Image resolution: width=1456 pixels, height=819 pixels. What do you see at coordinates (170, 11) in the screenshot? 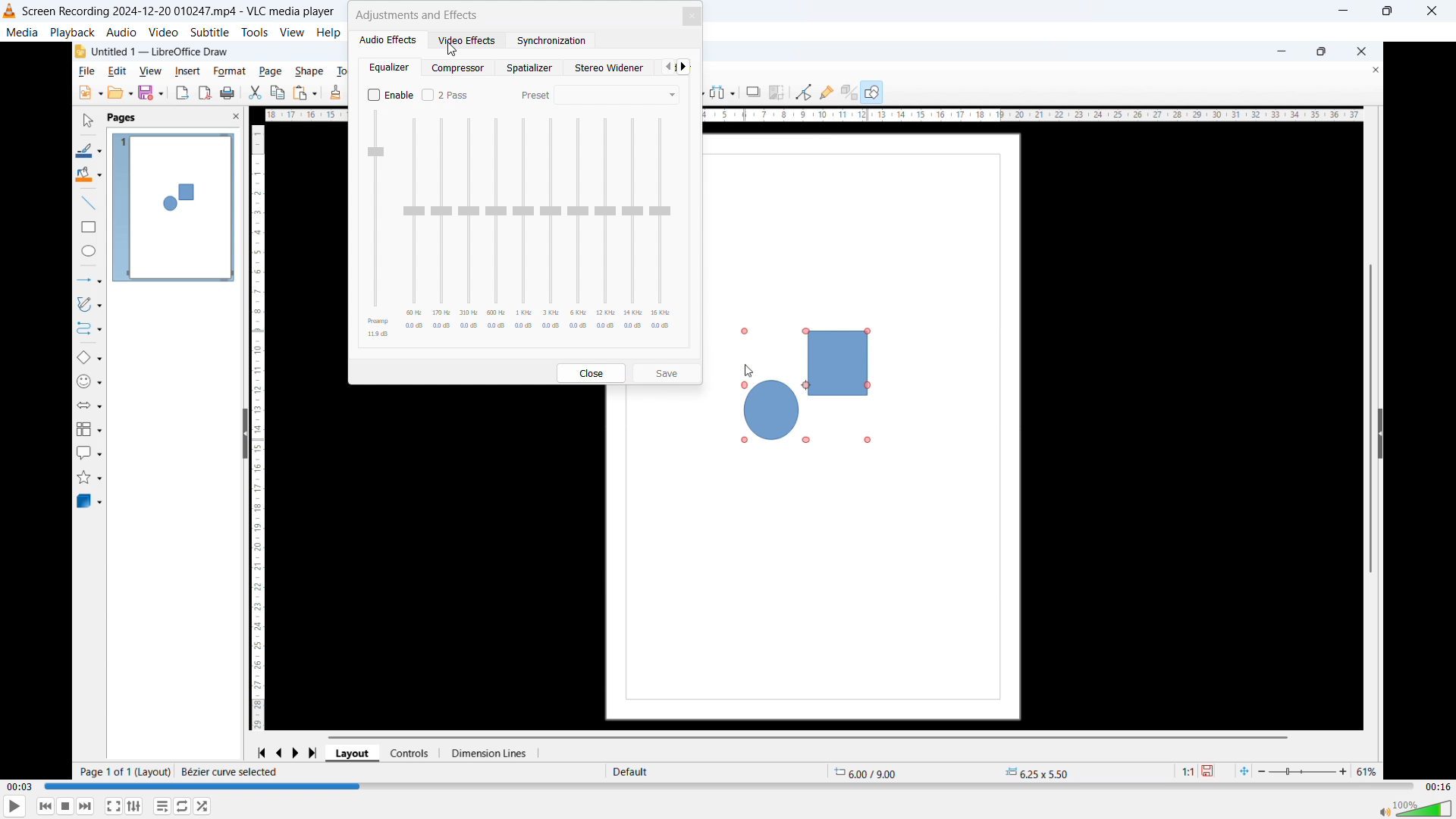
I see `Screen Recording 2024-12-20 010247.mp4 - VLC media player` at bounding box center [170, 11].